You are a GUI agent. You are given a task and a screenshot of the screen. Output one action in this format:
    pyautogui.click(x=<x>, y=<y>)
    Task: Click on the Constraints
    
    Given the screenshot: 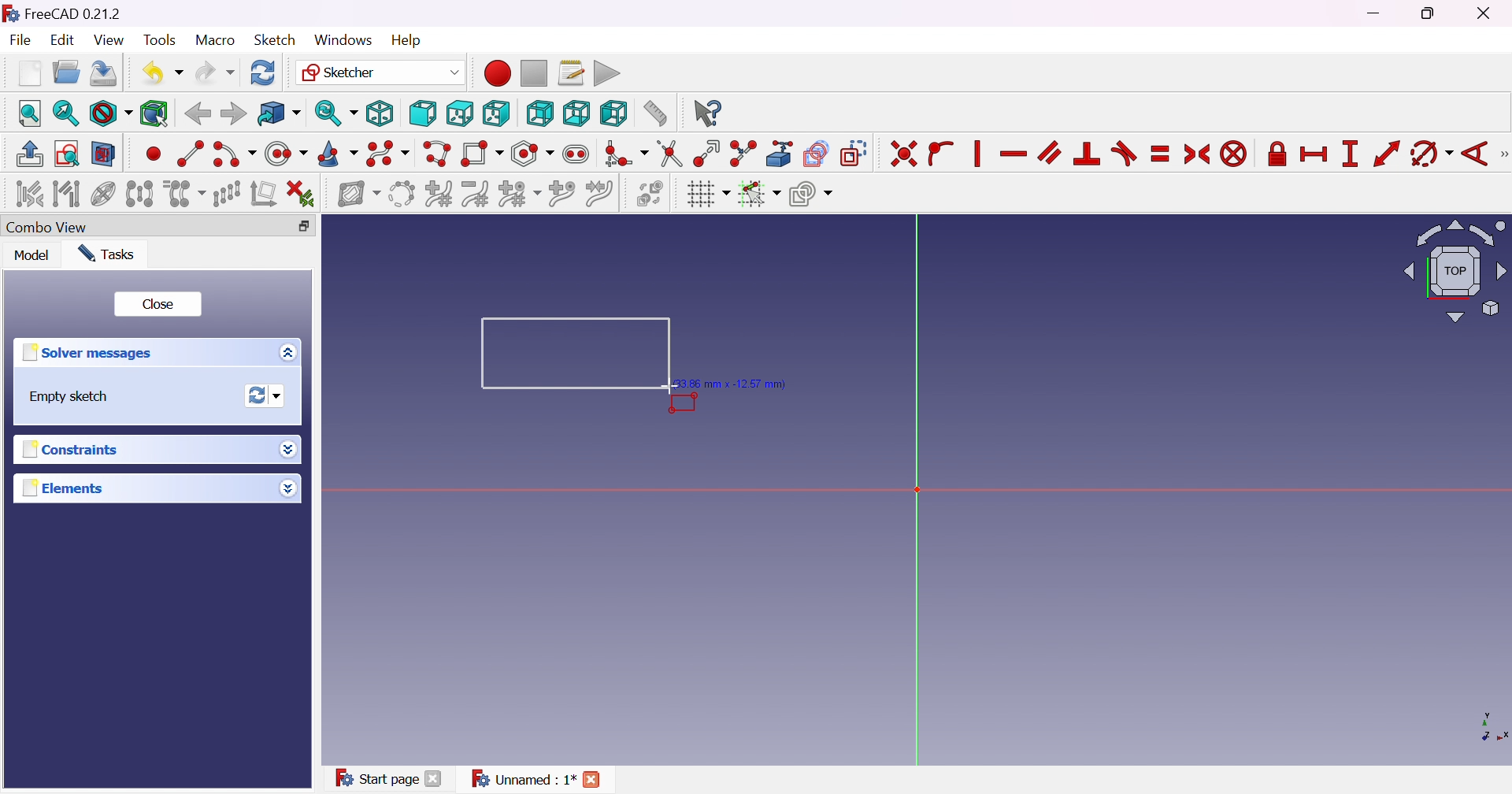 What is the action you would take?
    pyautogui.click(x=80, y=448)
    